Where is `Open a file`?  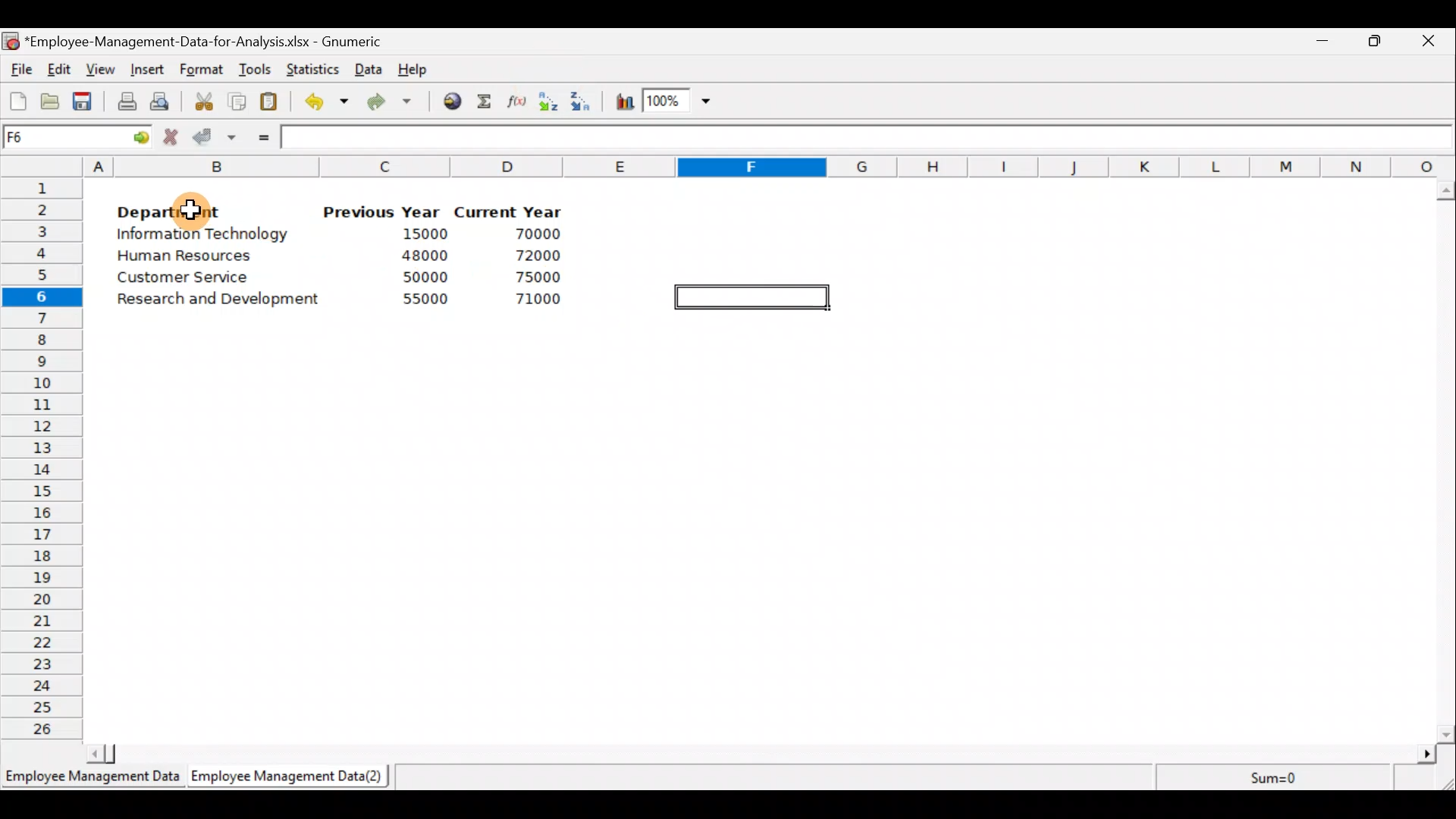
Open a file is located at coordinates (54, 103).